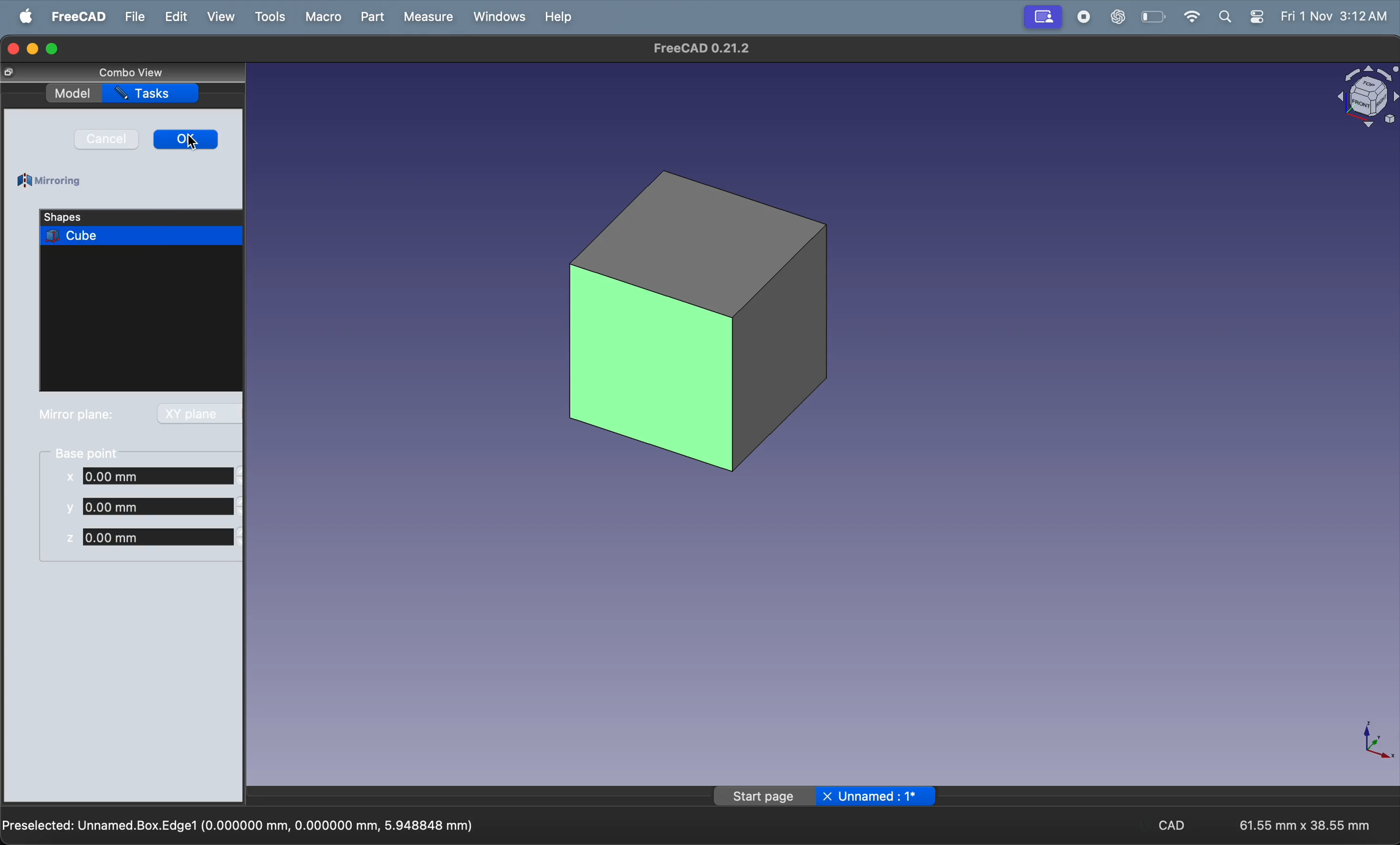 This screenshot has height=845, width=1400. I want to click on Fri 1 Nov 3:12 AM, so click(1334, 15).